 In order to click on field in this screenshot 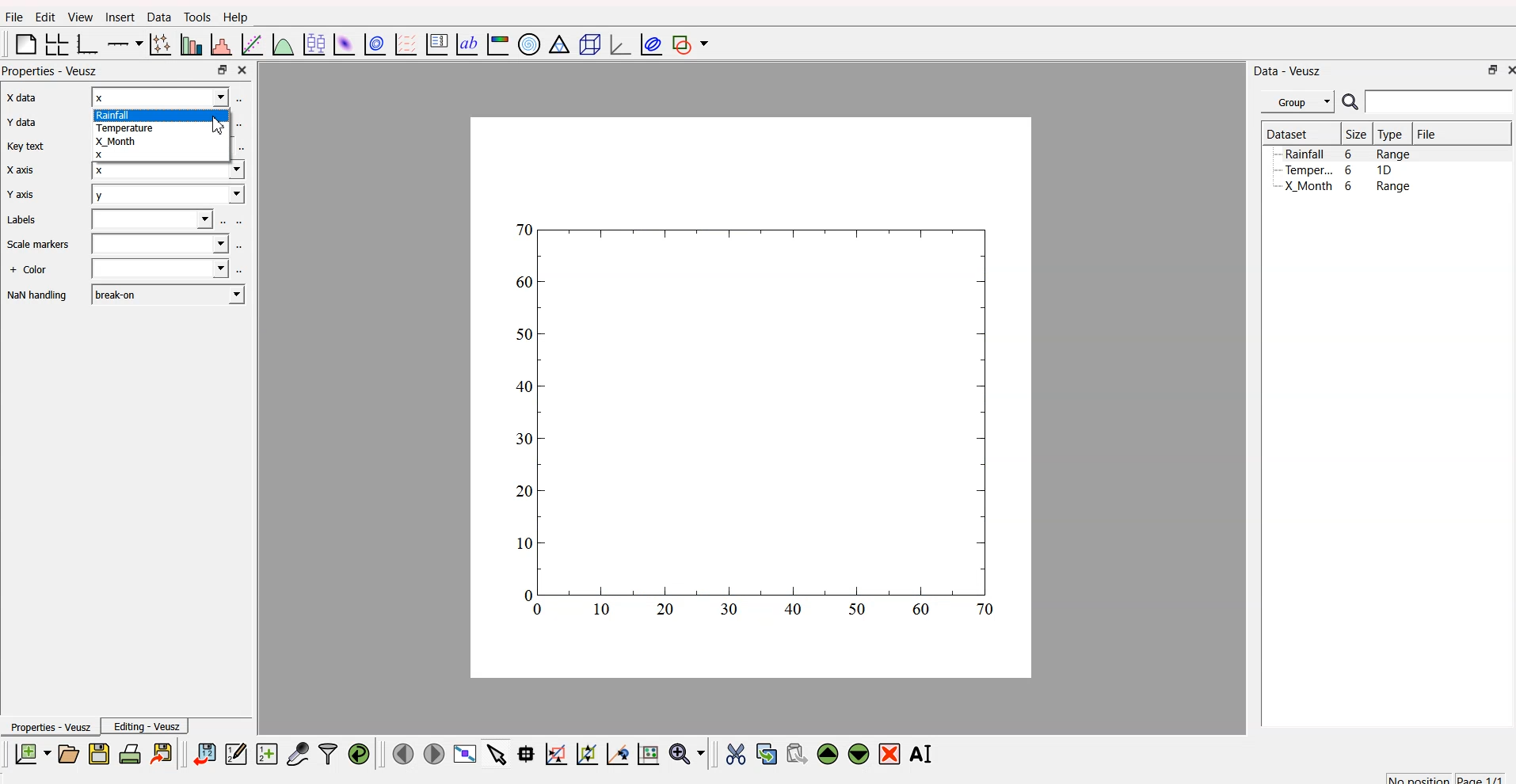, I will do `click(158, 270)`.